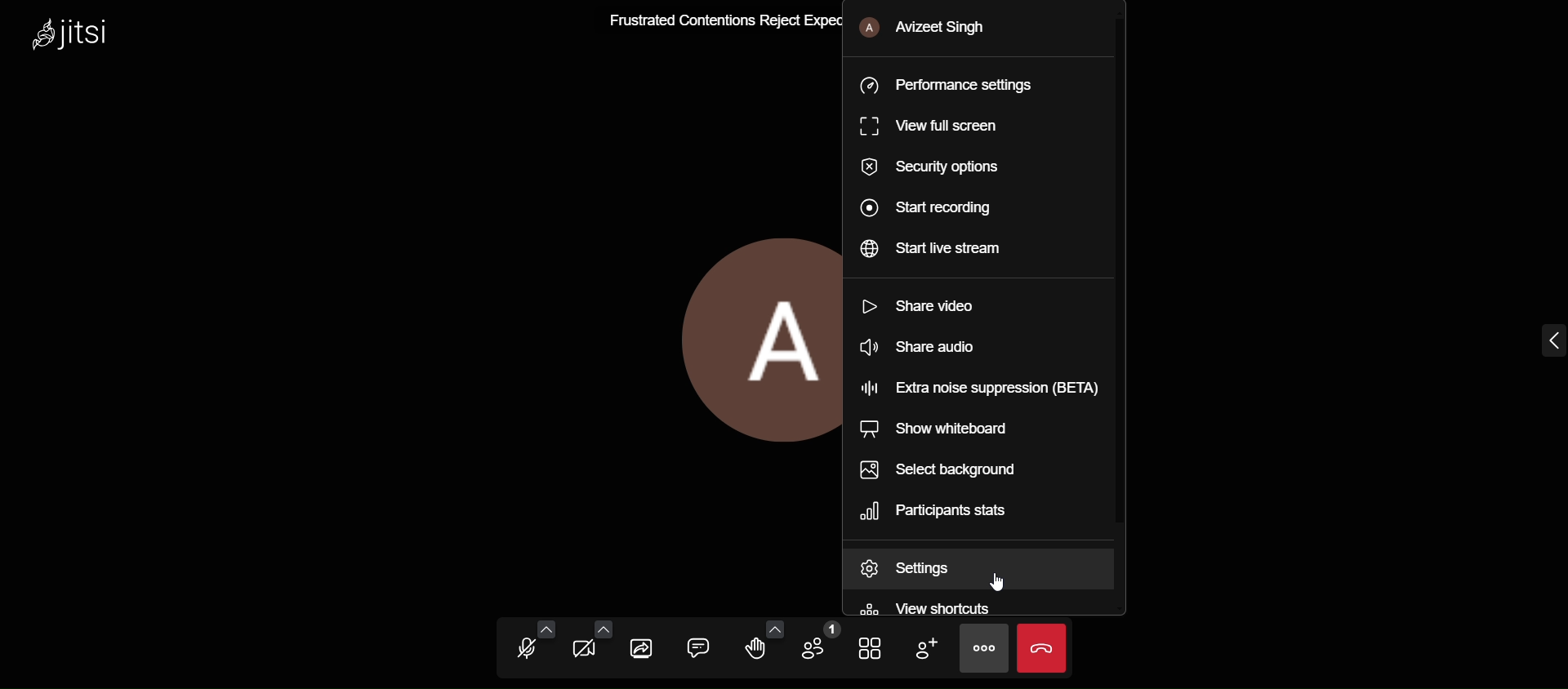 This screenshot has height=689, width=1568. I want to click on share audio, so click(939, 349).